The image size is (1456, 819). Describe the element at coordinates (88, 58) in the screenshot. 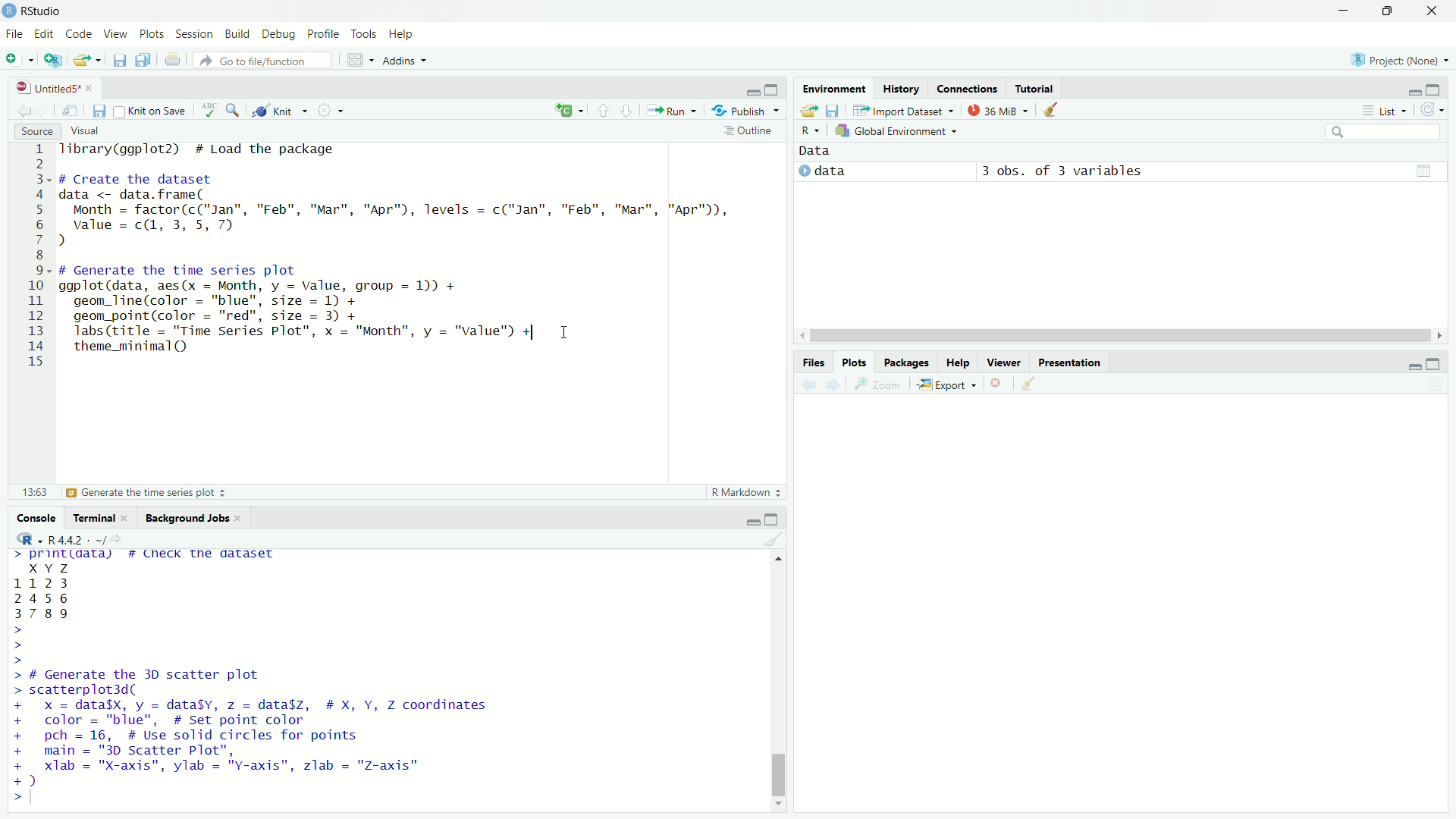

I see `open an existing file` at that location.